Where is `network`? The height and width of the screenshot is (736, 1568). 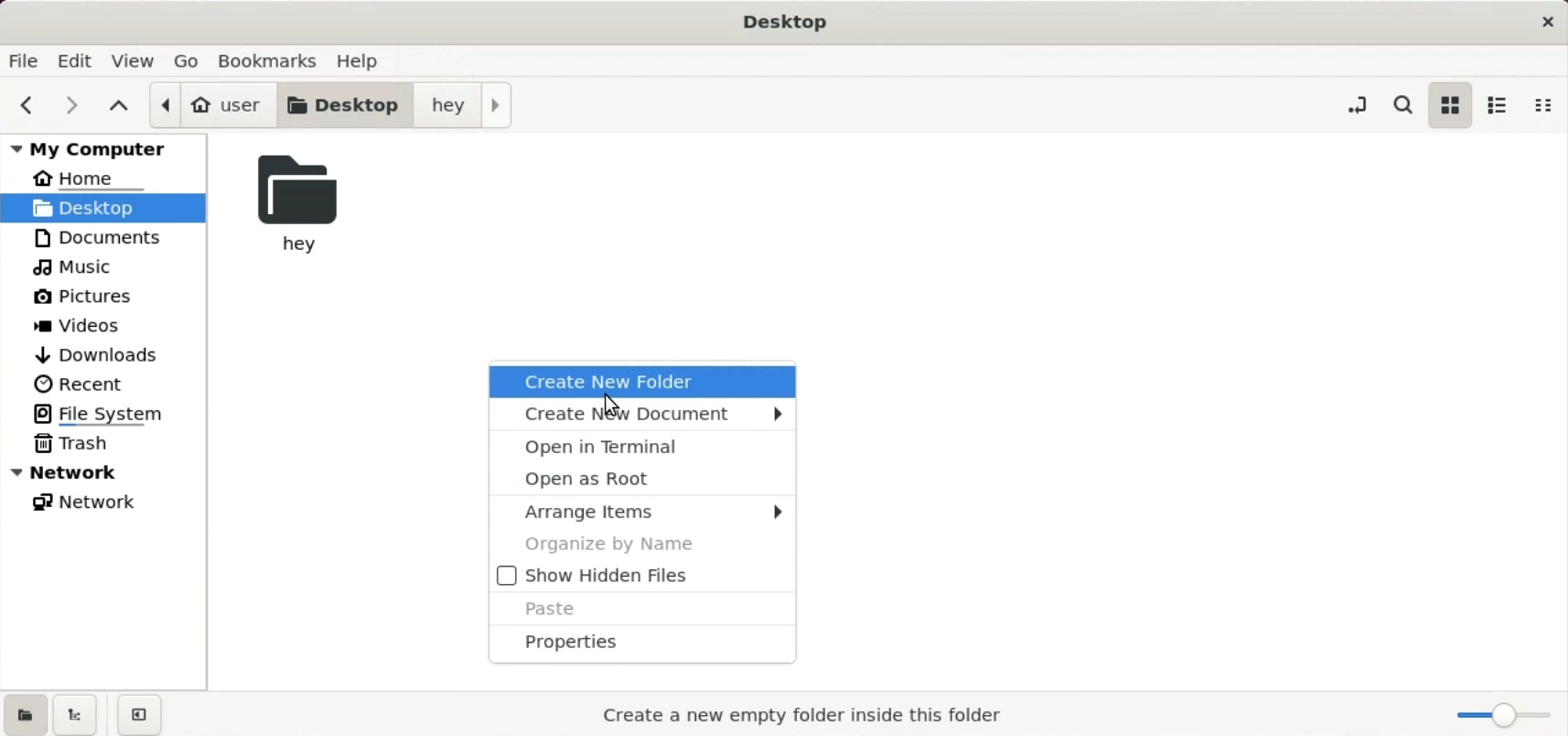
network is located at coordinates (89, 501).